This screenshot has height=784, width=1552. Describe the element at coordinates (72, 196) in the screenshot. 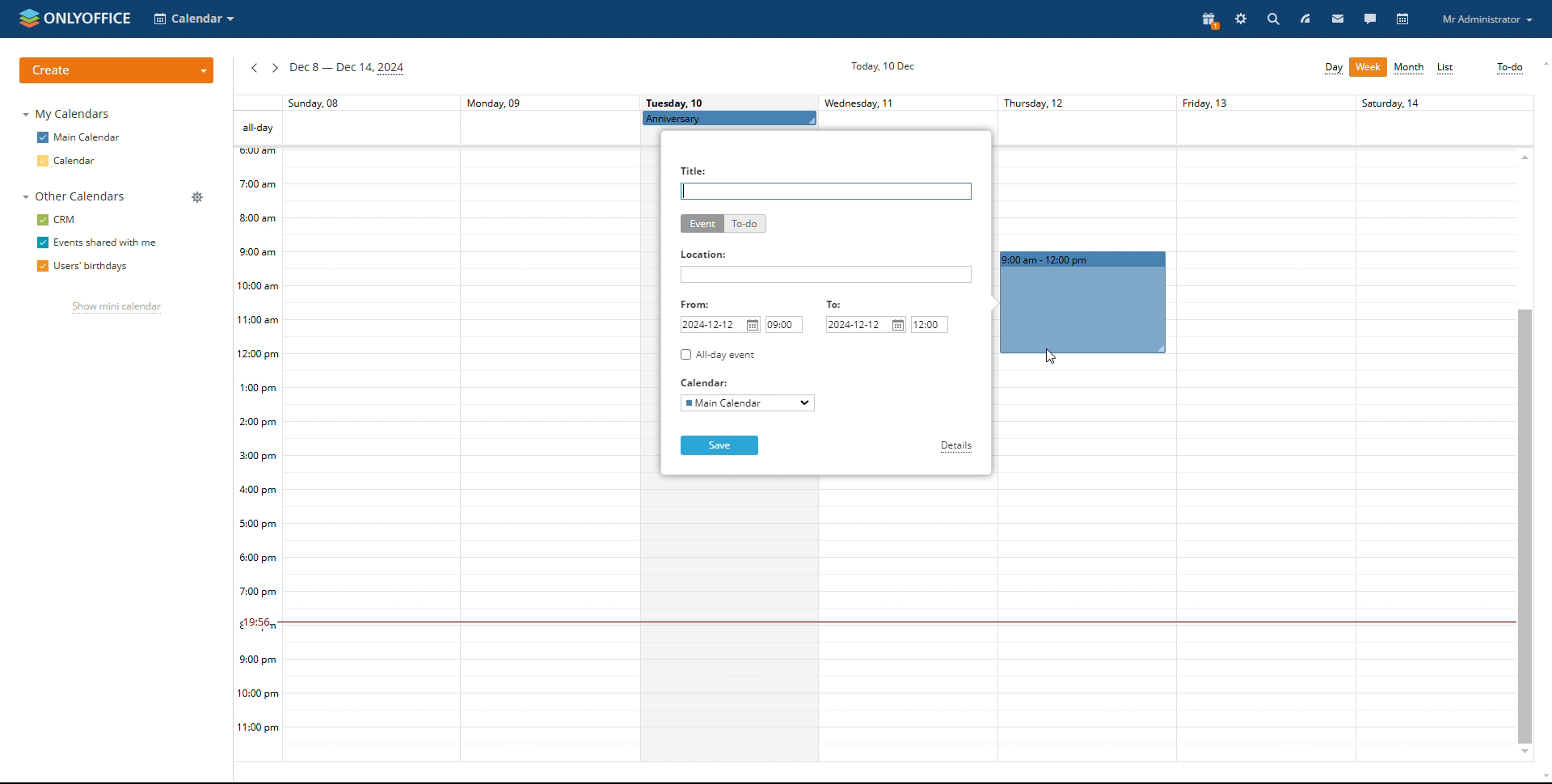

I see `other calendars` at that location.